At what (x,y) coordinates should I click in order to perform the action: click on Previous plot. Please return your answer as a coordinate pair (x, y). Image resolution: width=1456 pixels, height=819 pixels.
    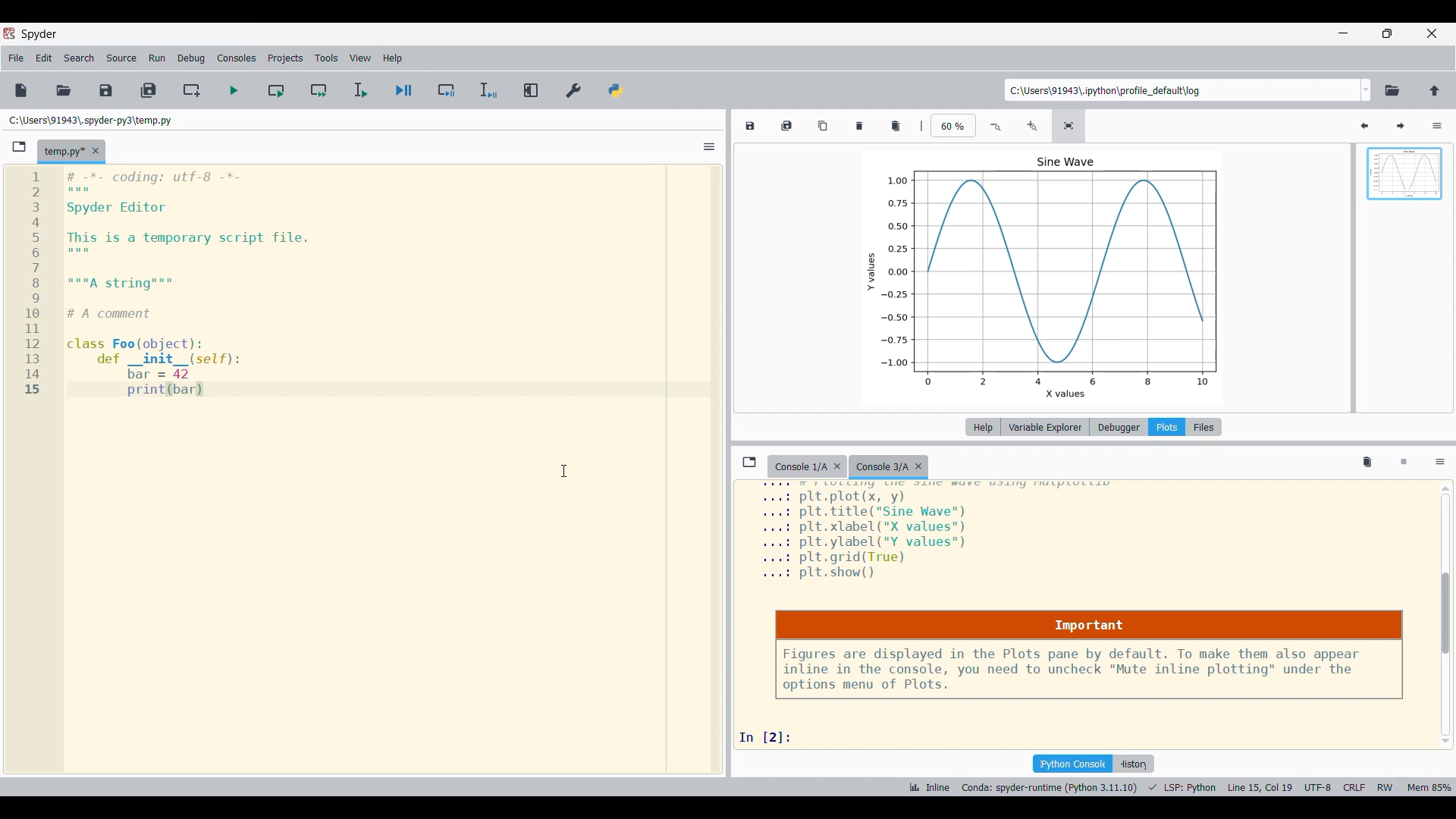
    Looking at the image, I should click on (1364, 127).